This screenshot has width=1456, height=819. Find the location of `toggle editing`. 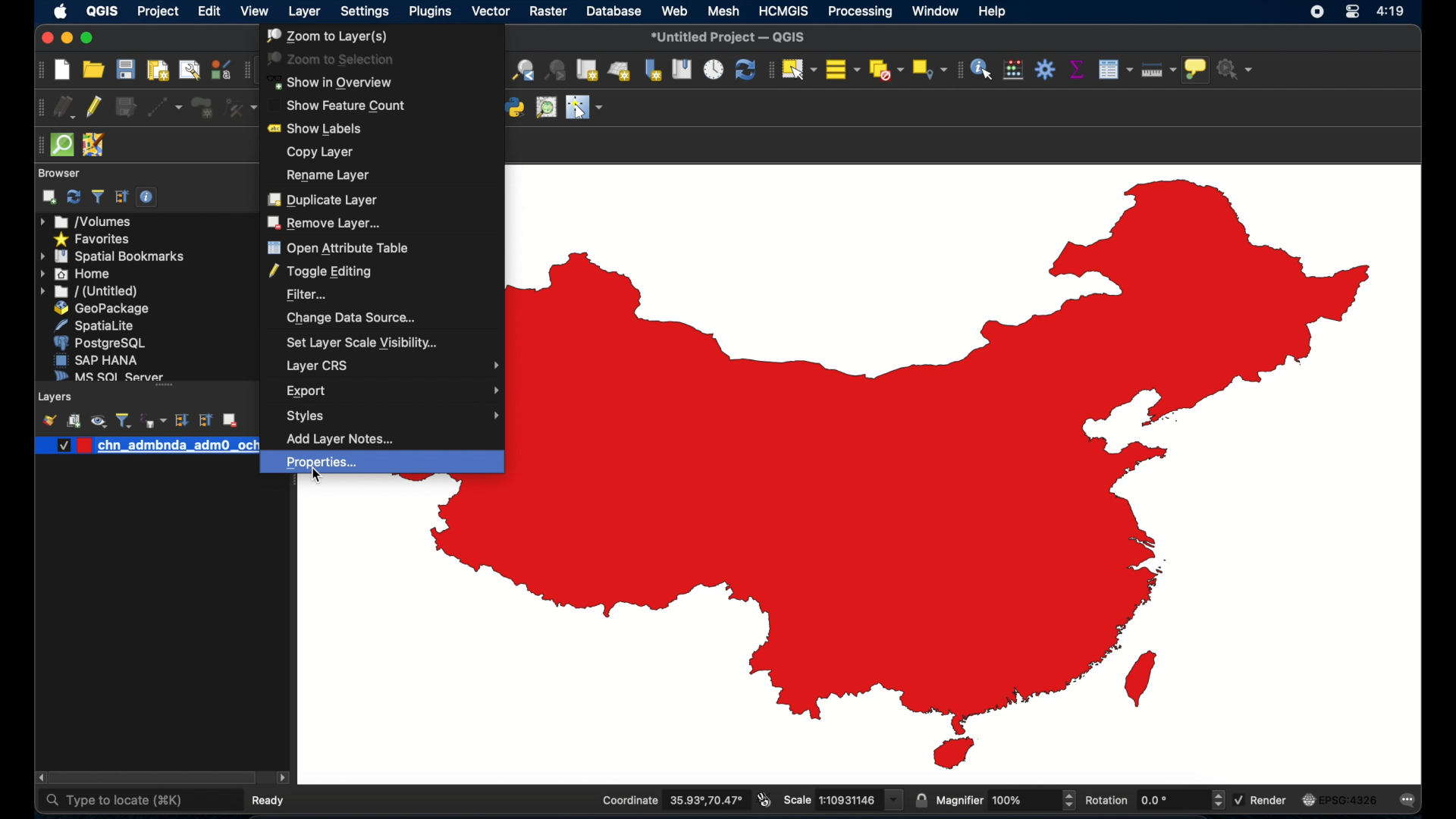

toggle editing is located at coordinates (95, 105).